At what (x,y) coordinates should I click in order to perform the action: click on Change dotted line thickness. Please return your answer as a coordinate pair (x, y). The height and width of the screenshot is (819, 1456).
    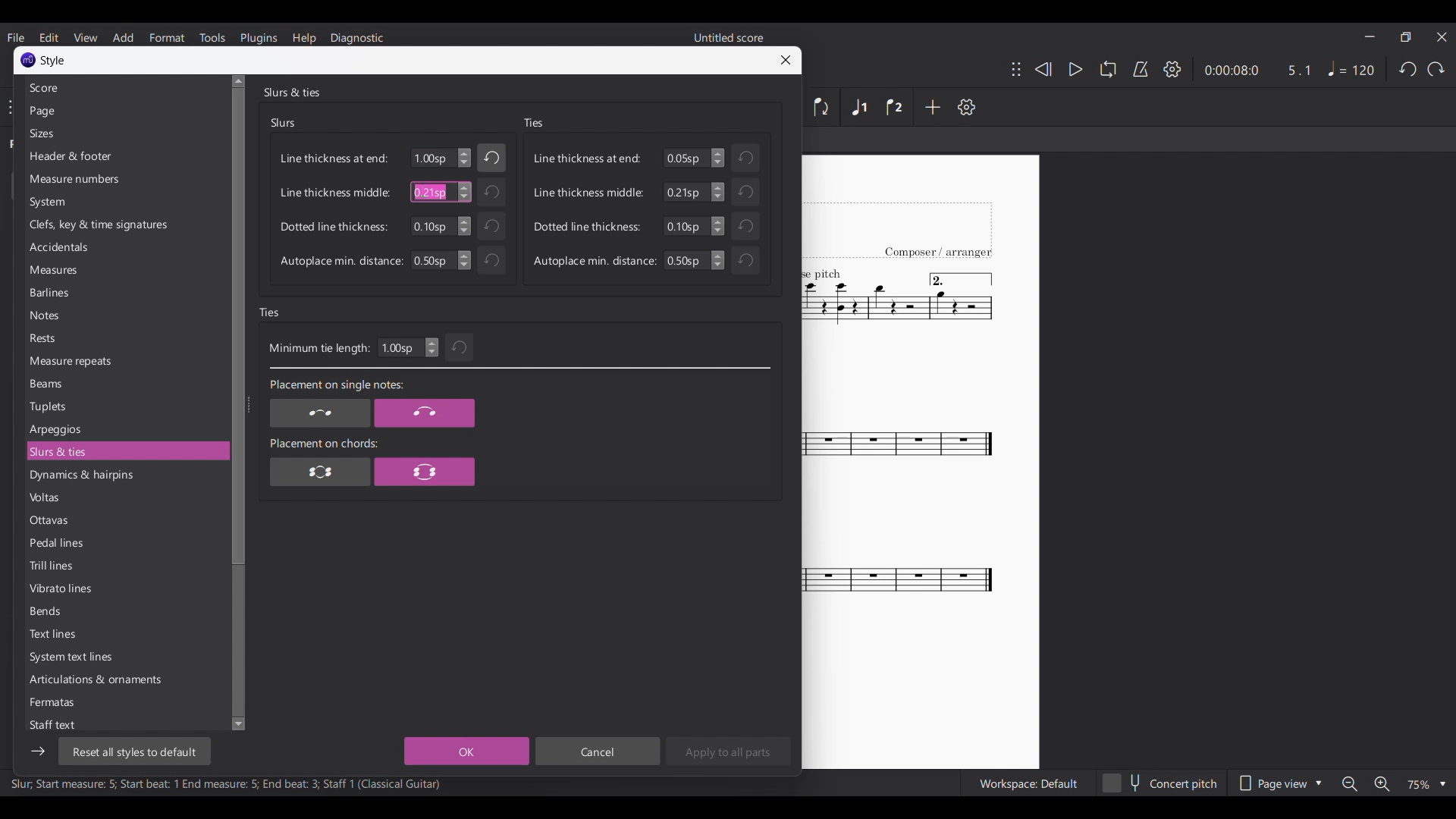
    Looking at the image, I should click on (718, 226).